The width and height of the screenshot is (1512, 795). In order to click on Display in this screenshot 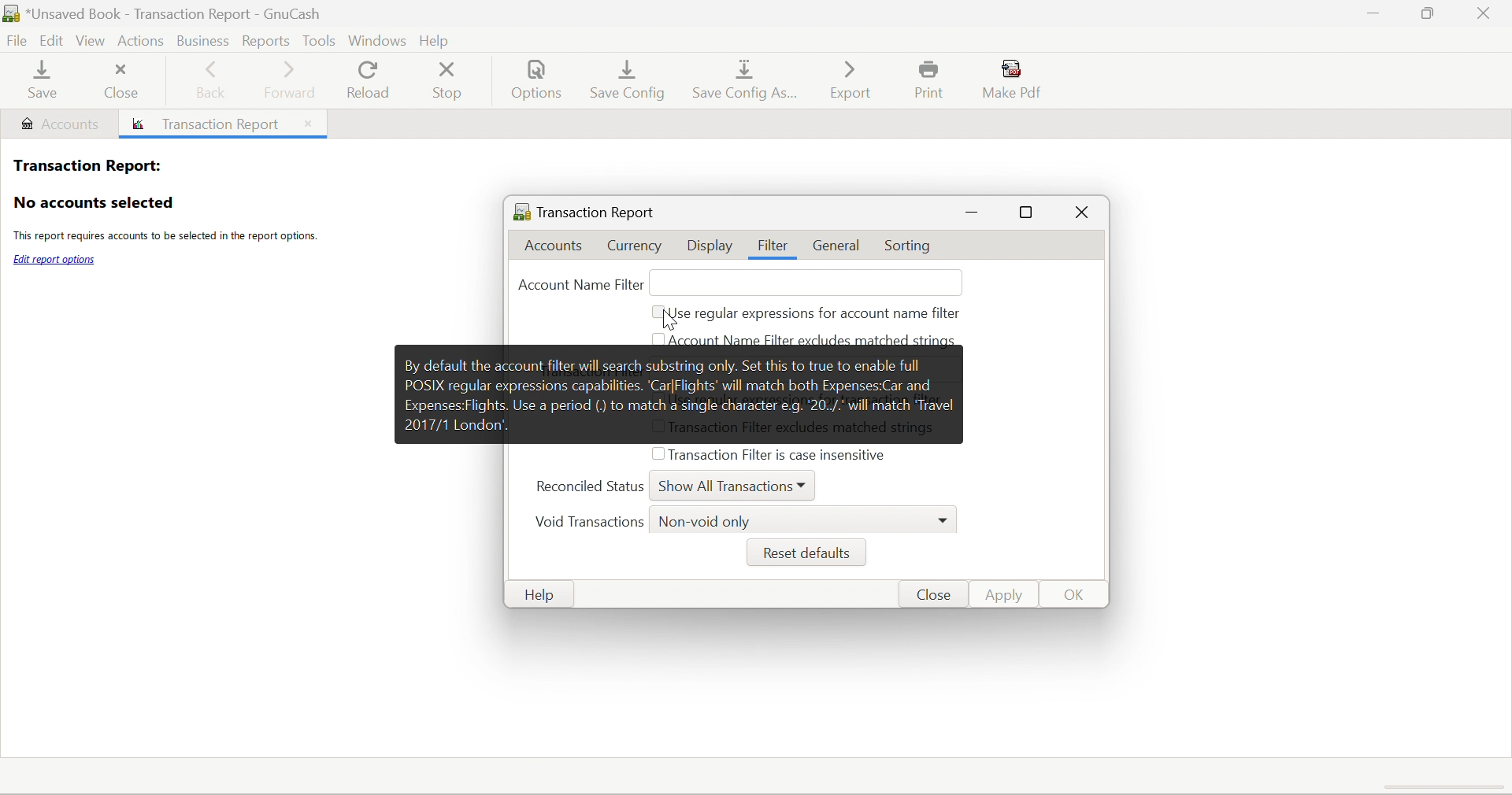, I will do `click(710, 247)`.